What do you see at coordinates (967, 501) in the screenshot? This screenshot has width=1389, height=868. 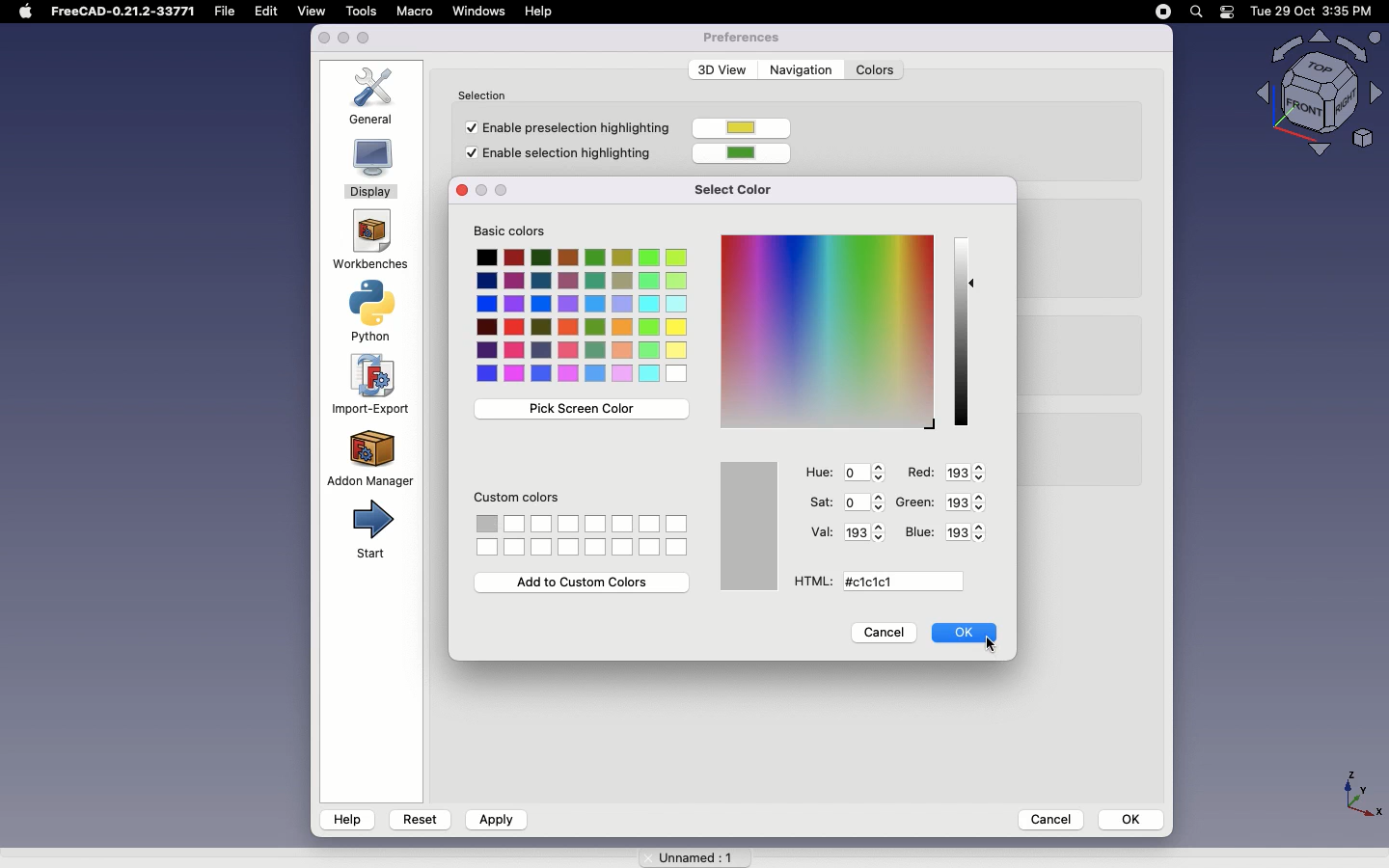 I see `193` at bounding box center [967, 501].